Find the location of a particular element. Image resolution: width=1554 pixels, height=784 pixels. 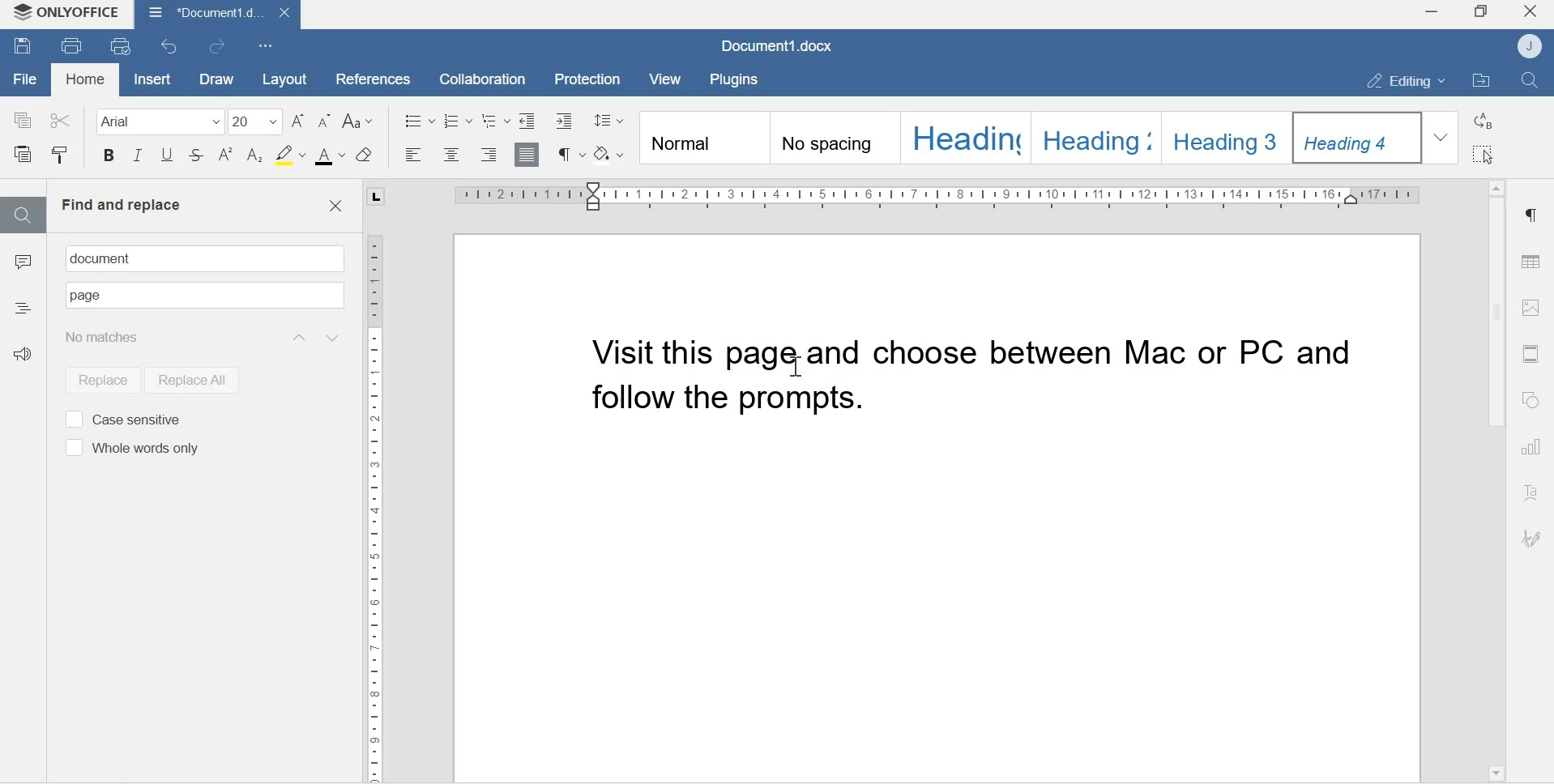

Text is located at coordinates (1533, 494).